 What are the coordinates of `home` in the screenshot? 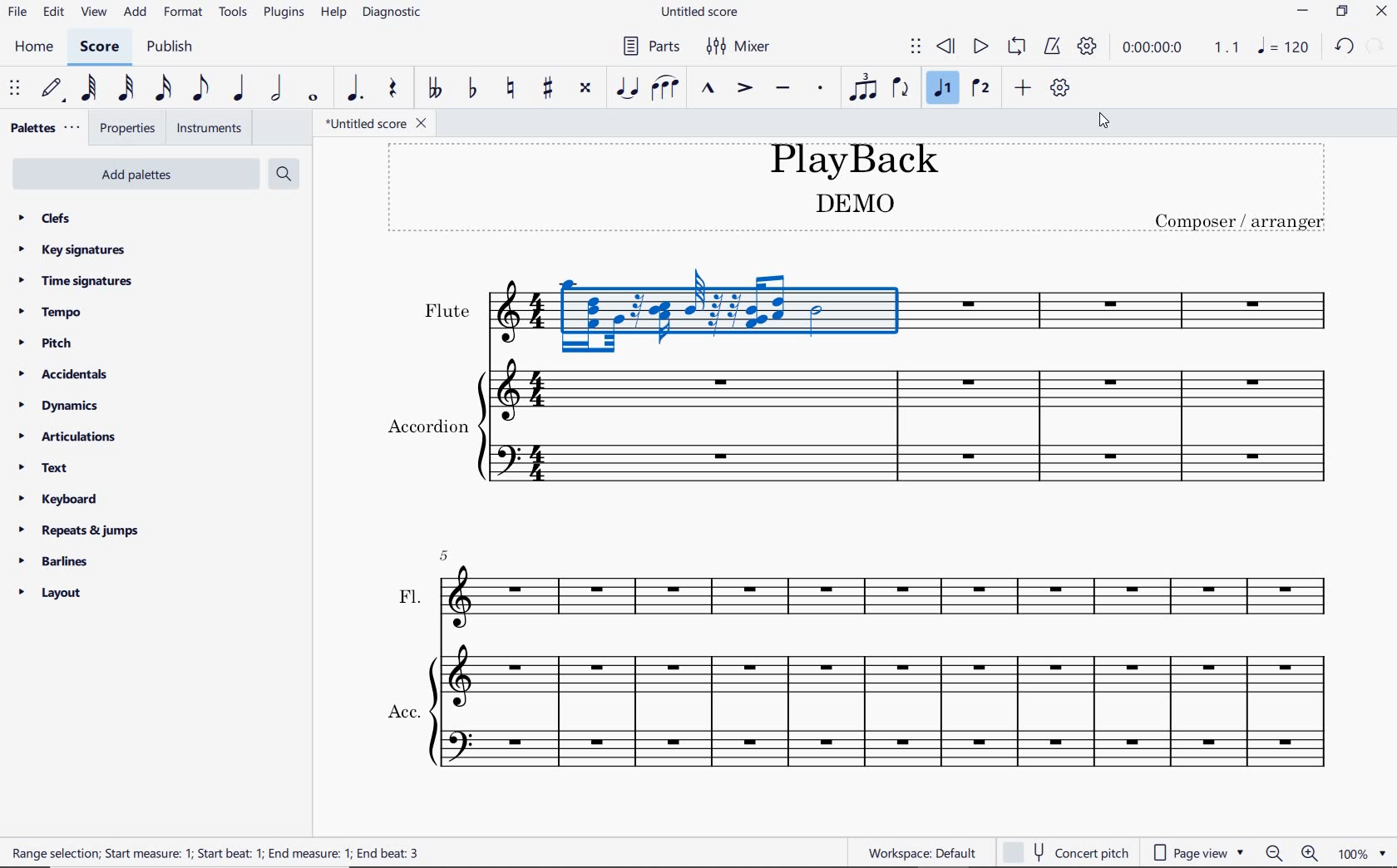 It's located at (37, 47).